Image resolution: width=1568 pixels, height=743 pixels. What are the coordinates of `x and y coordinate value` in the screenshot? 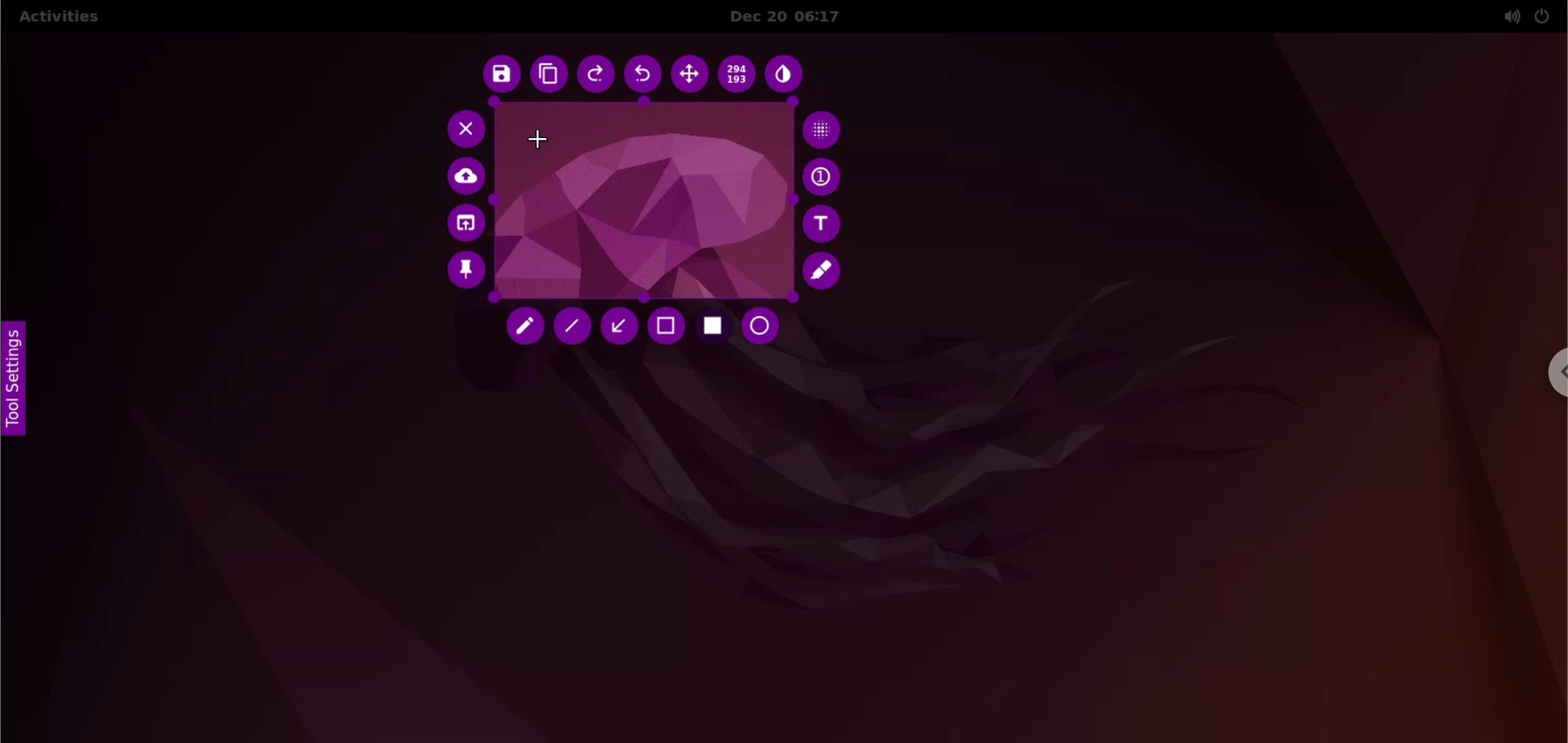 It's located at (738, 77).